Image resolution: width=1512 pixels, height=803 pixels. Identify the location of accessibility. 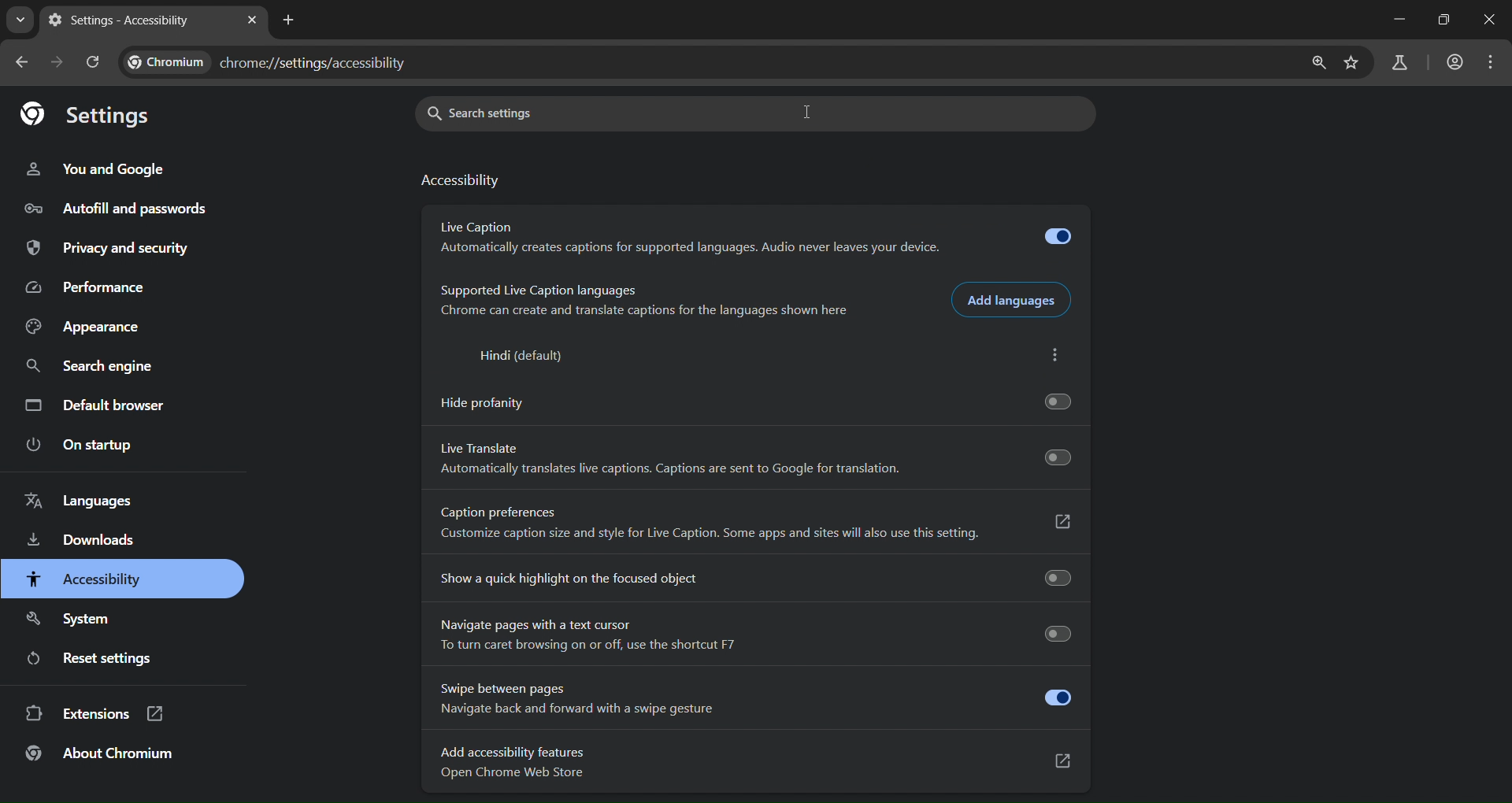
(462, 181).